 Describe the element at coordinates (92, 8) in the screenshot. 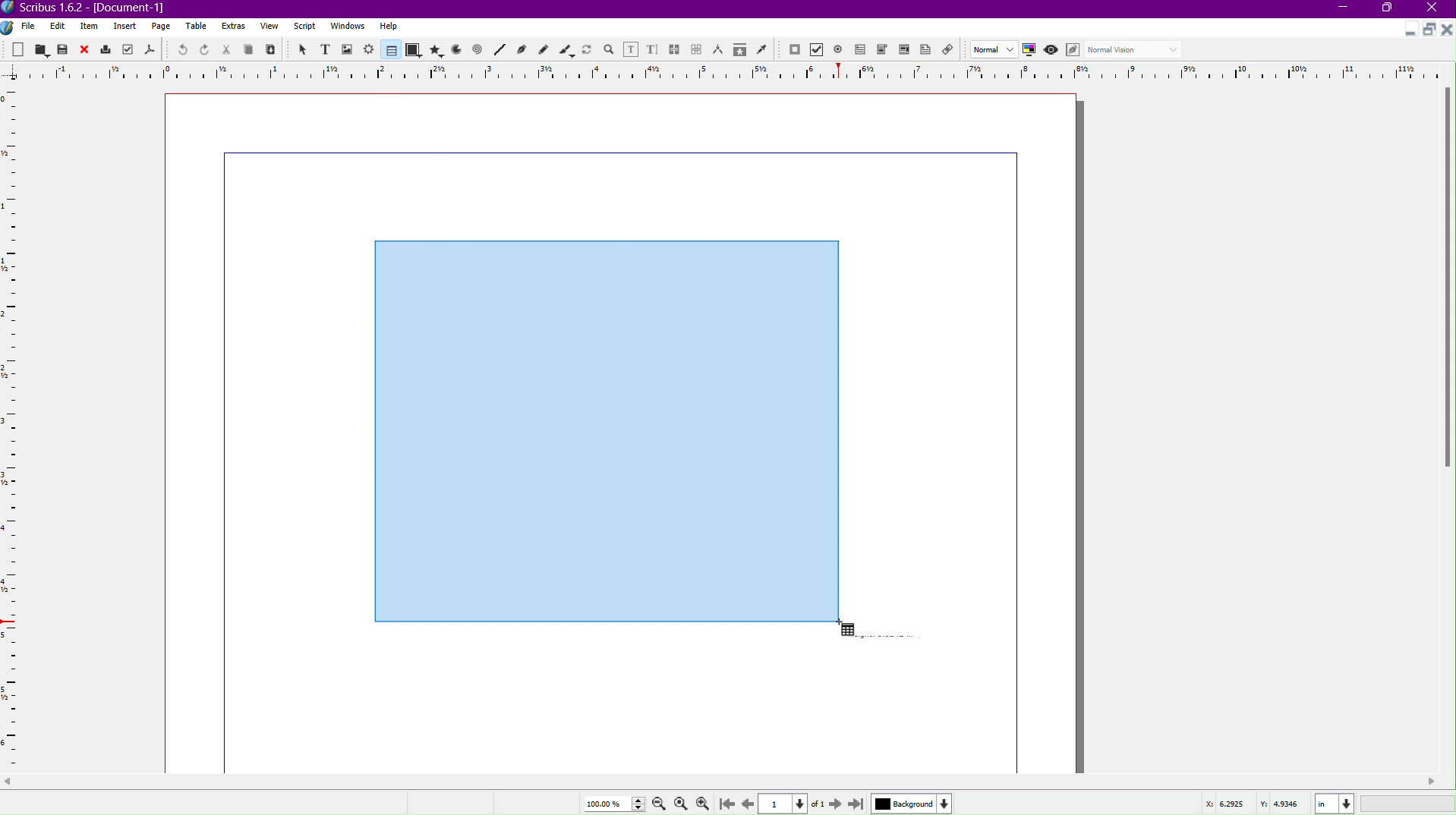

I see `Window Name` at that location.